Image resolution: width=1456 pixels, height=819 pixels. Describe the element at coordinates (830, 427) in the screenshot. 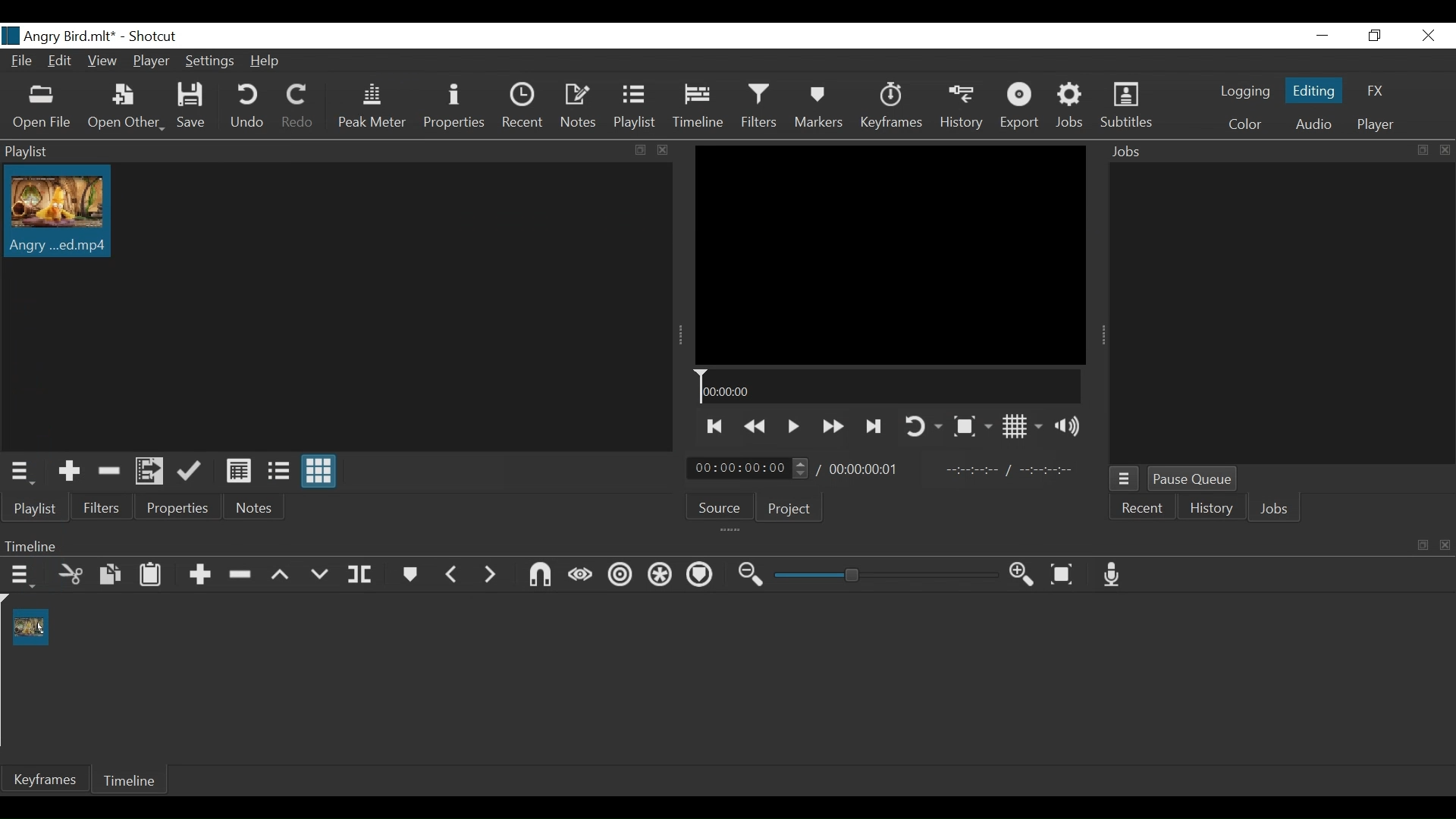

I see `Play quickly forward` at that location.